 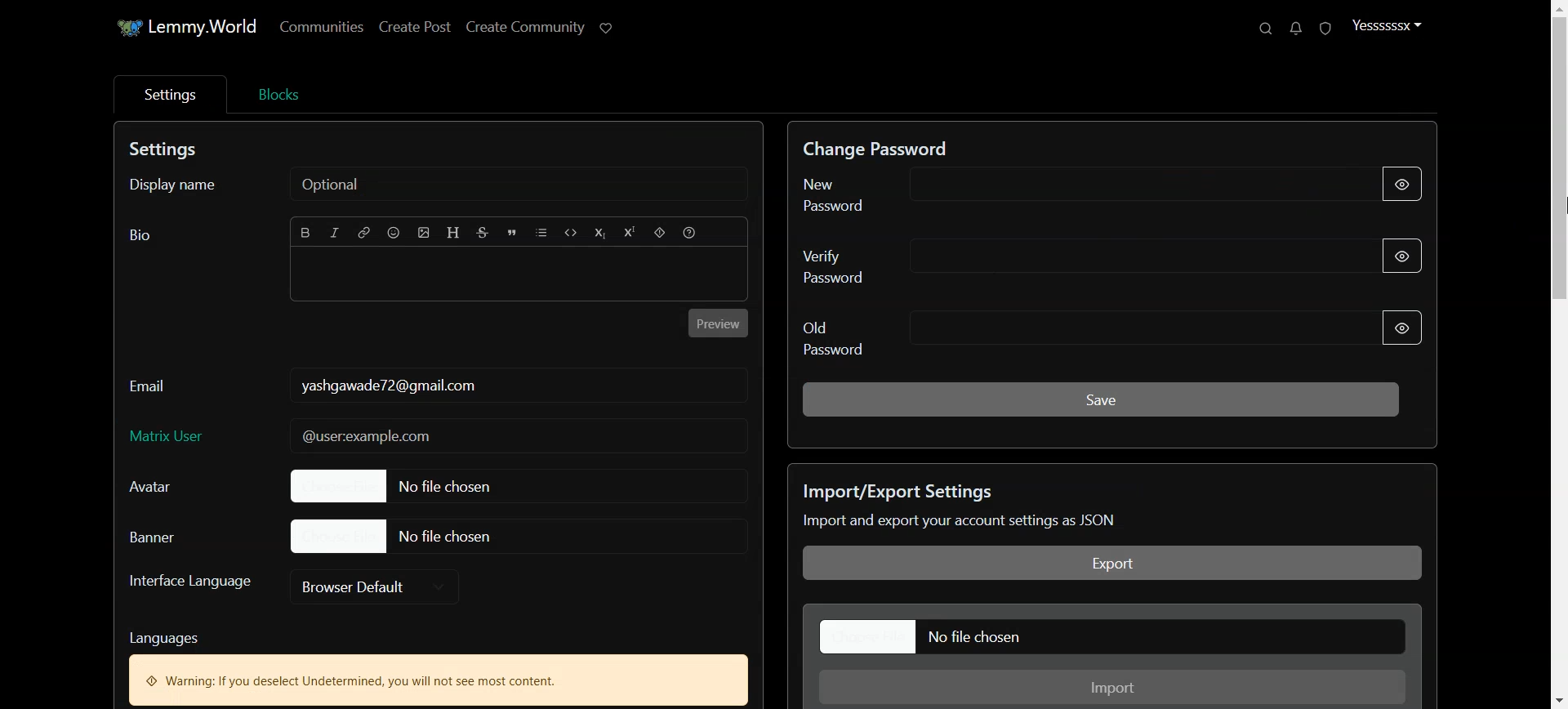 I want to click on Save, so click(x=1102, y=399).